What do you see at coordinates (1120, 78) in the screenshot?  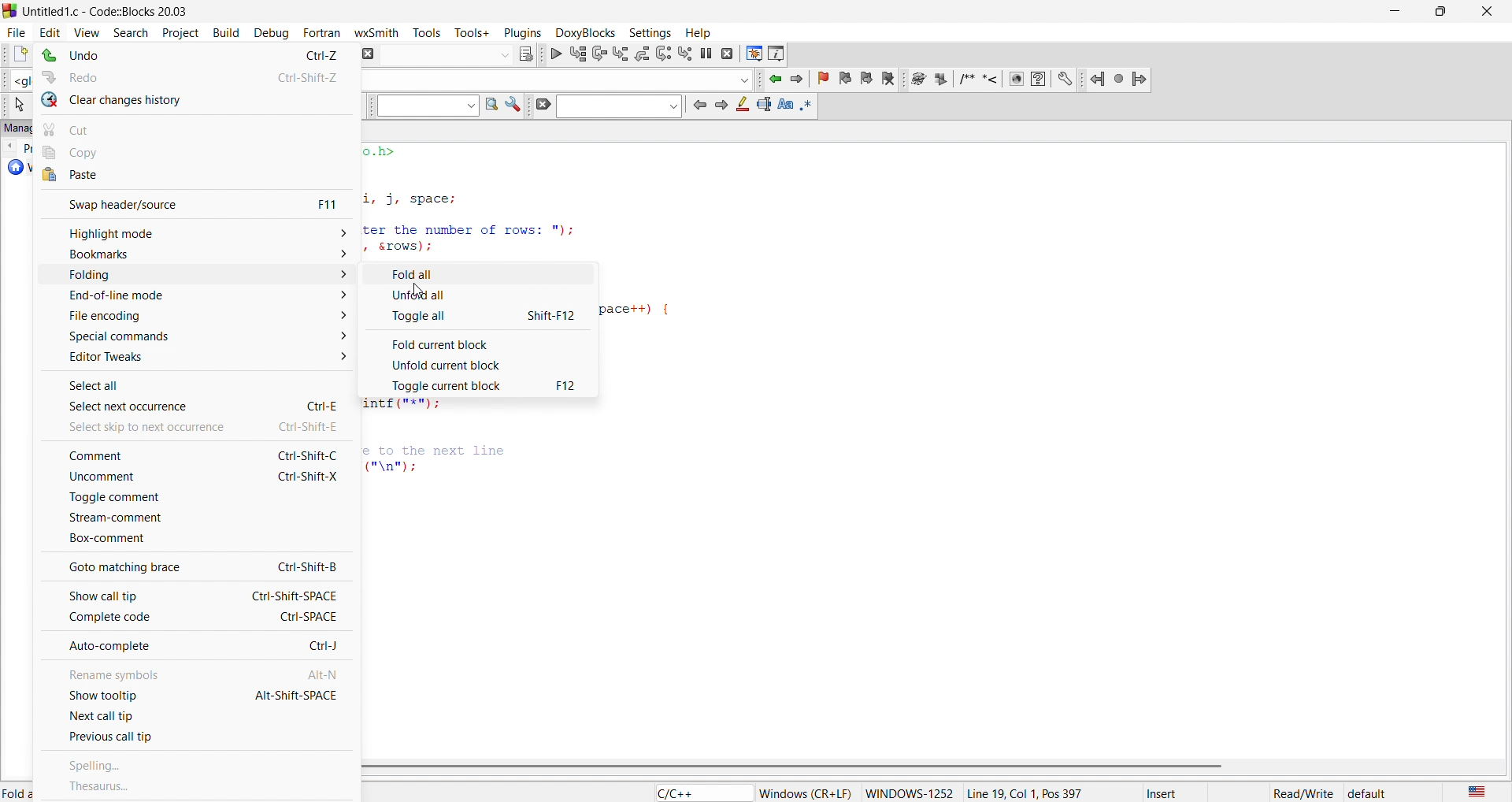 I see `stop` at bounding box center [1120, 78].